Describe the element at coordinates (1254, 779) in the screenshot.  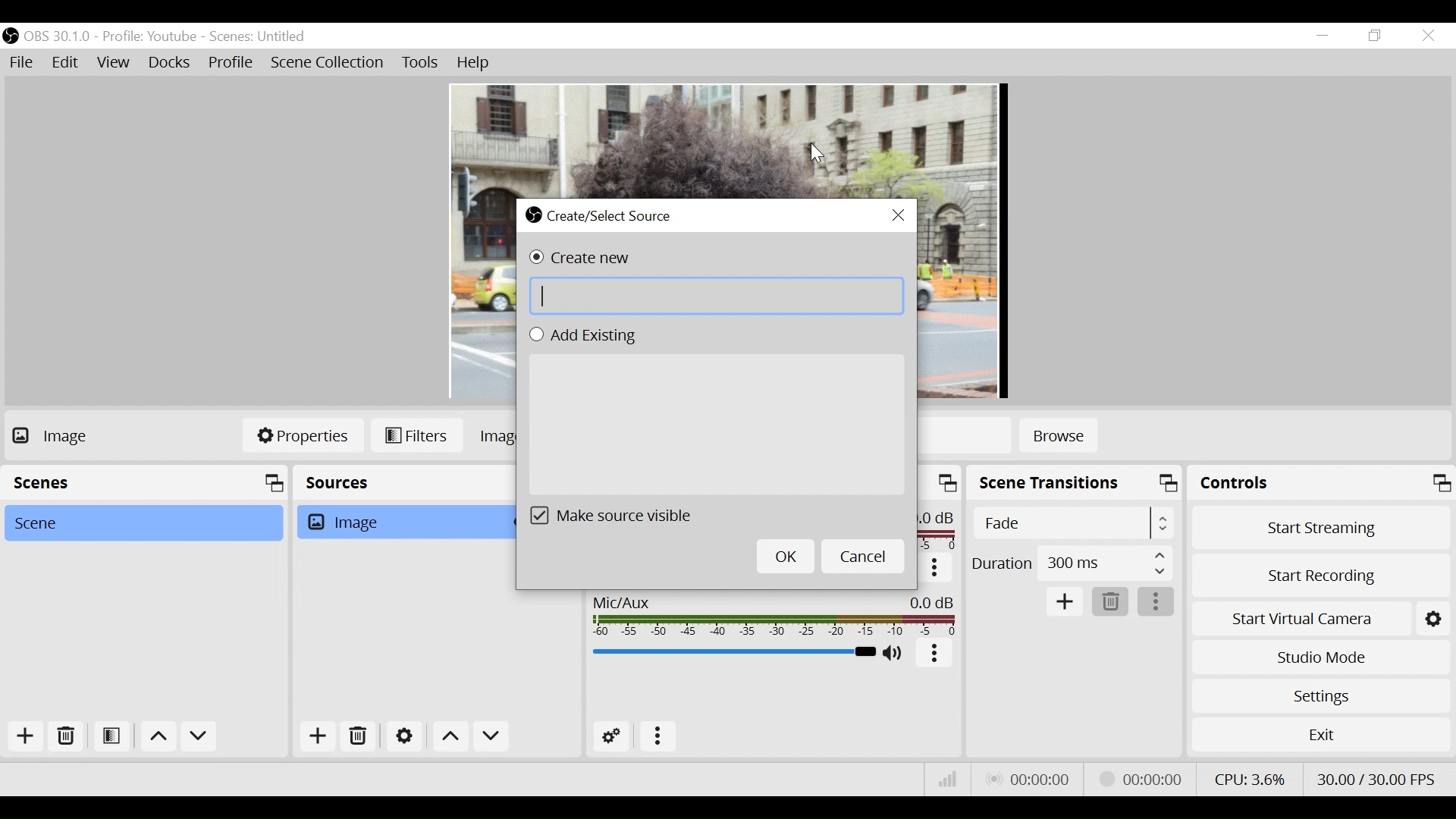
I see `CPU Usage` at that location.